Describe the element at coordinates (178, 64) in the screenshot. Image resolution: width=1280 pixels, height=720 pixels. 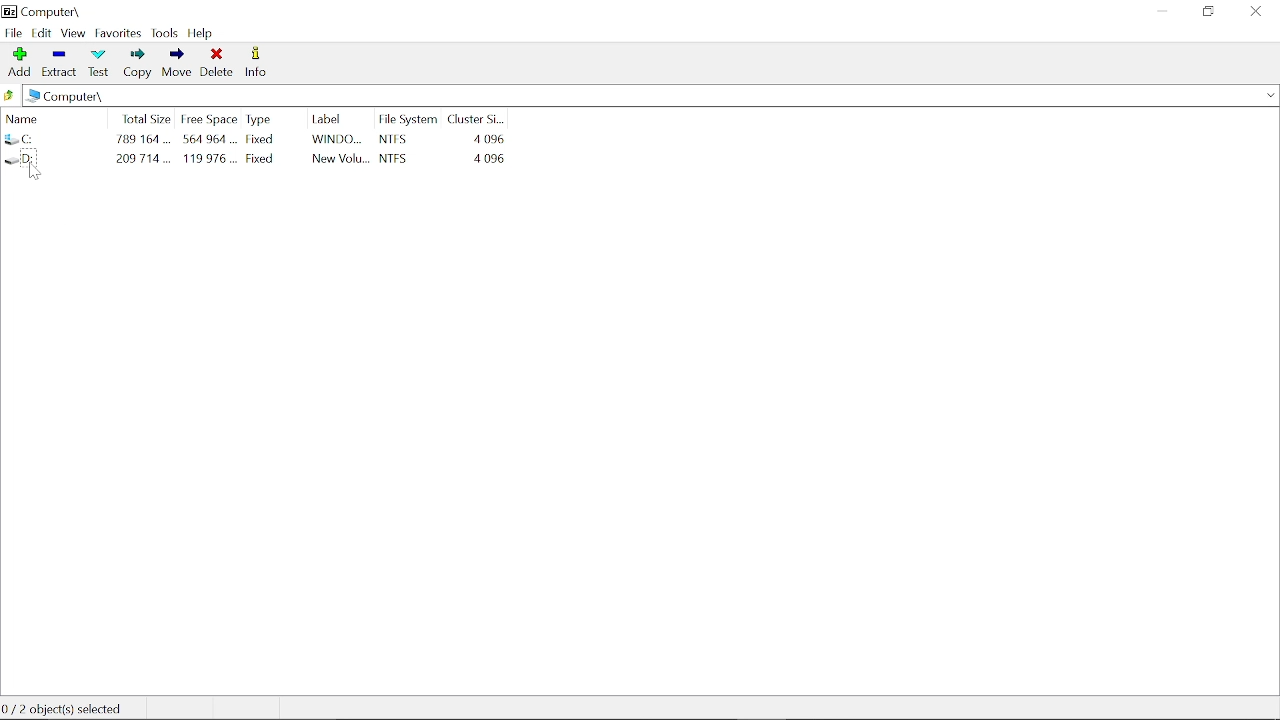
I see `move` at that location.